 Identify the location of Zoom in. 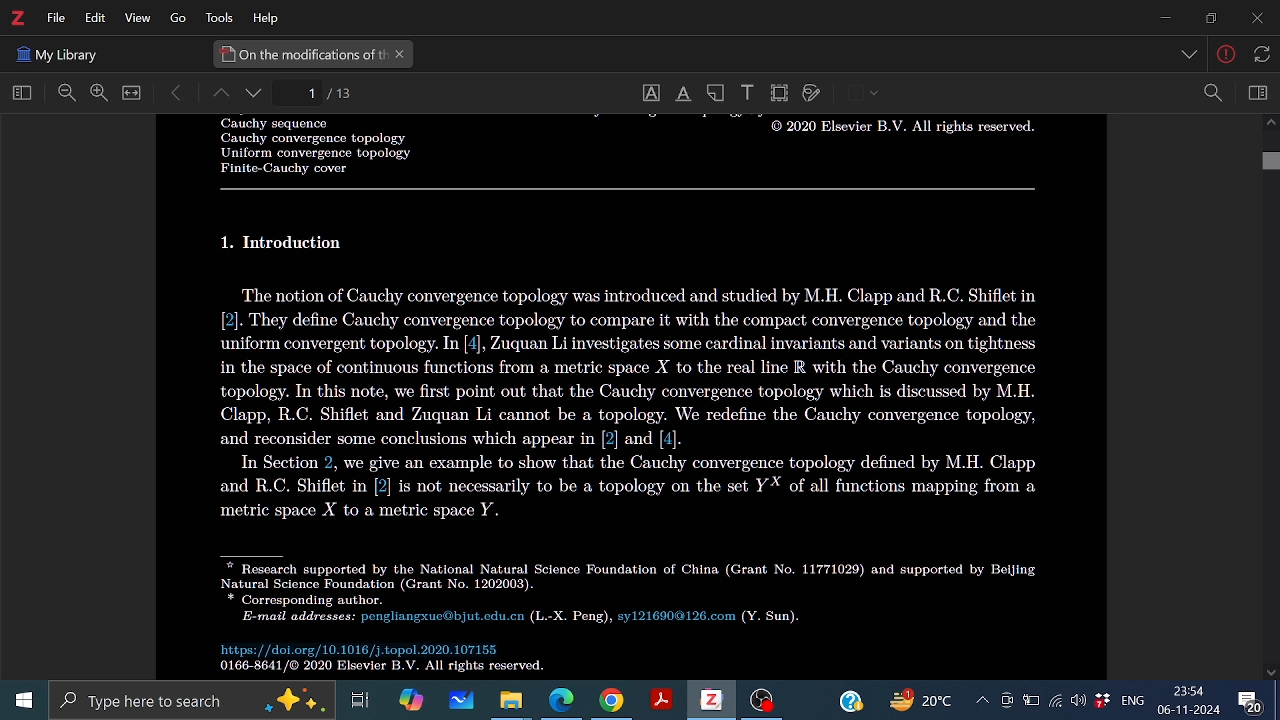
(98, 93).